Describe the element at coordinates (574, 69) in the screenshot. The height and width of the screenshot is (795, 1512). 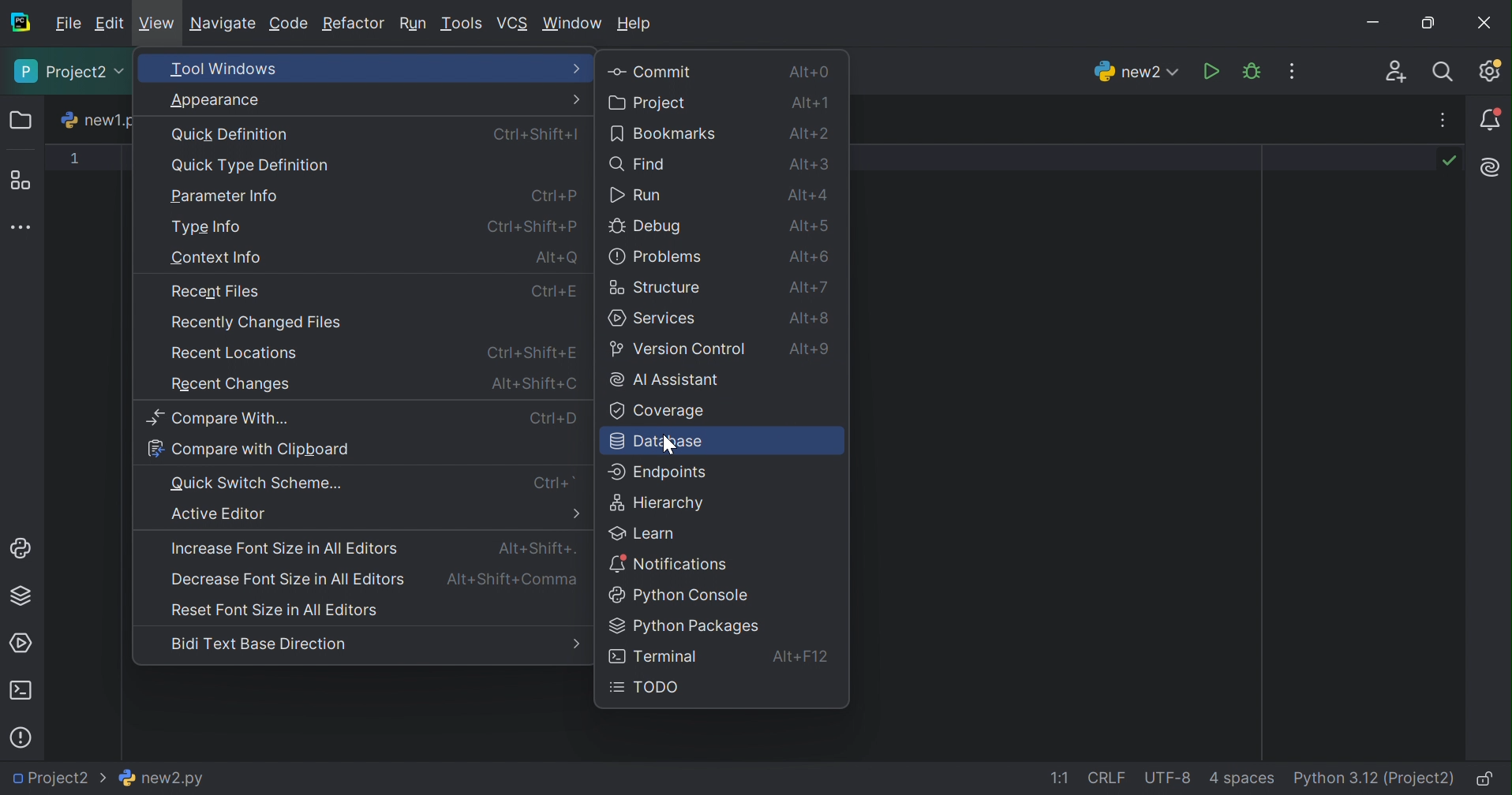
I see `More` at that location.